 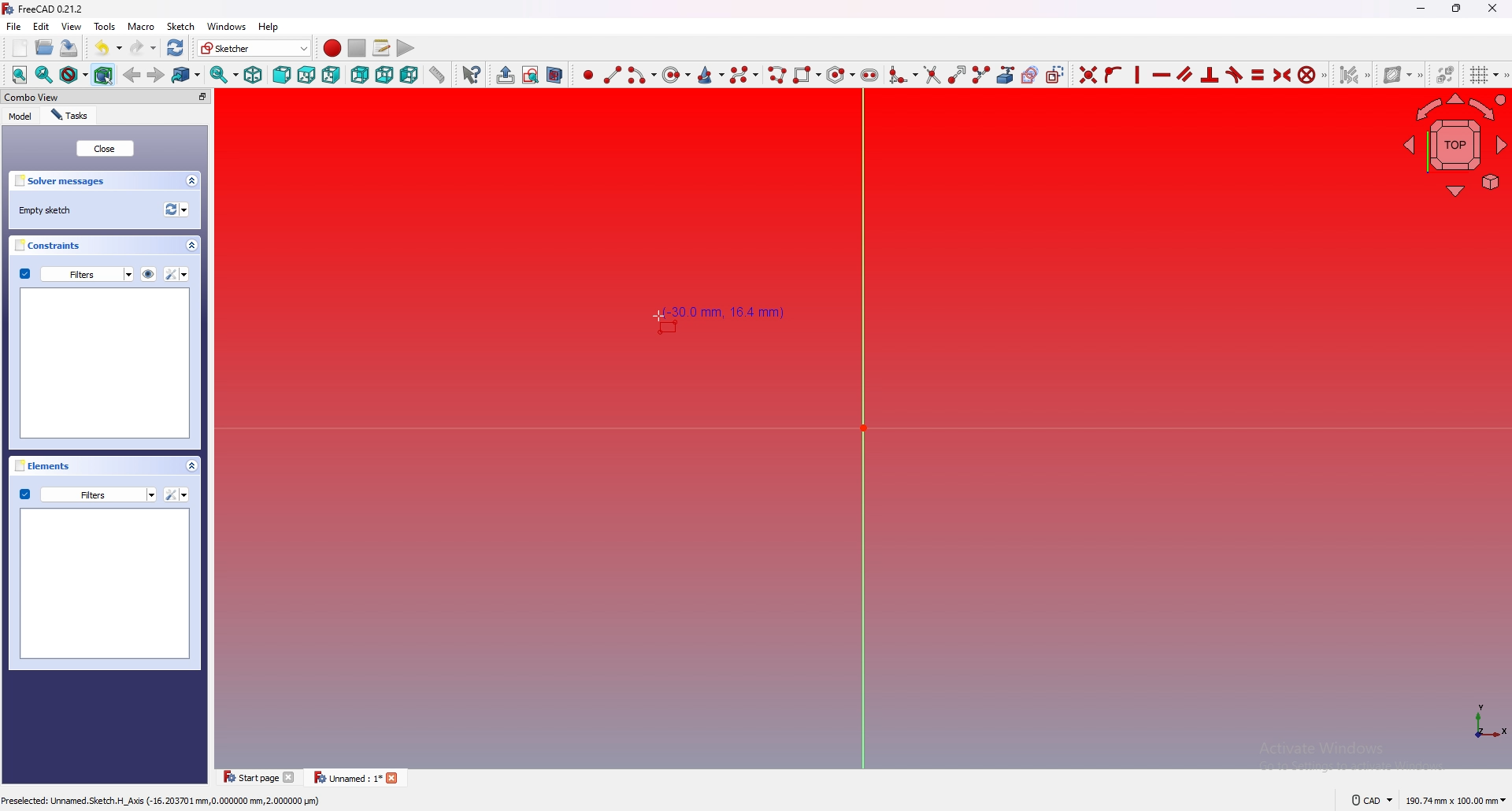 I want to click on tools, so click(x=105, y=26).